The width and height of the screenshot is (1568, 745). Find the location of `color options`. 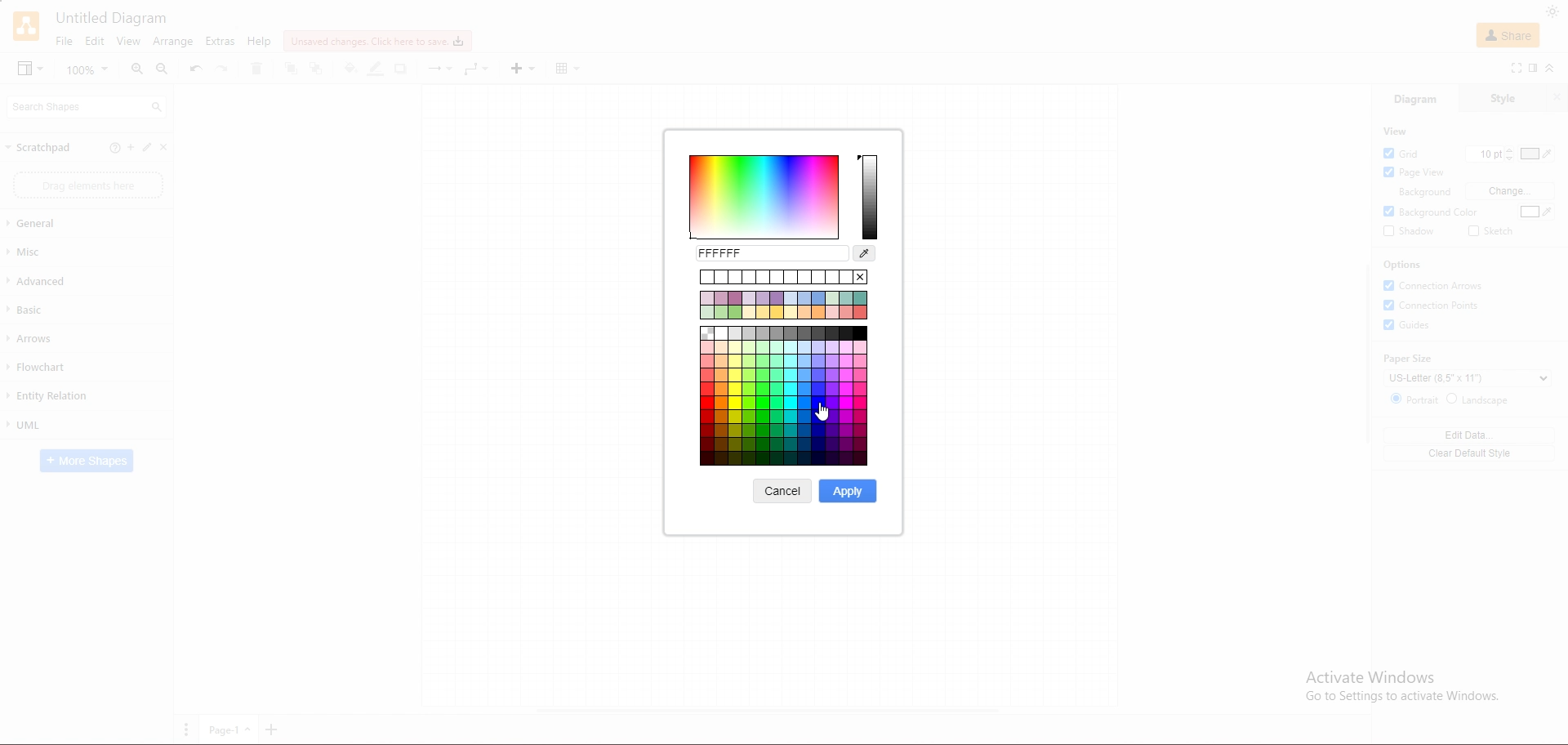

color options is located at coordinates (766, 198).